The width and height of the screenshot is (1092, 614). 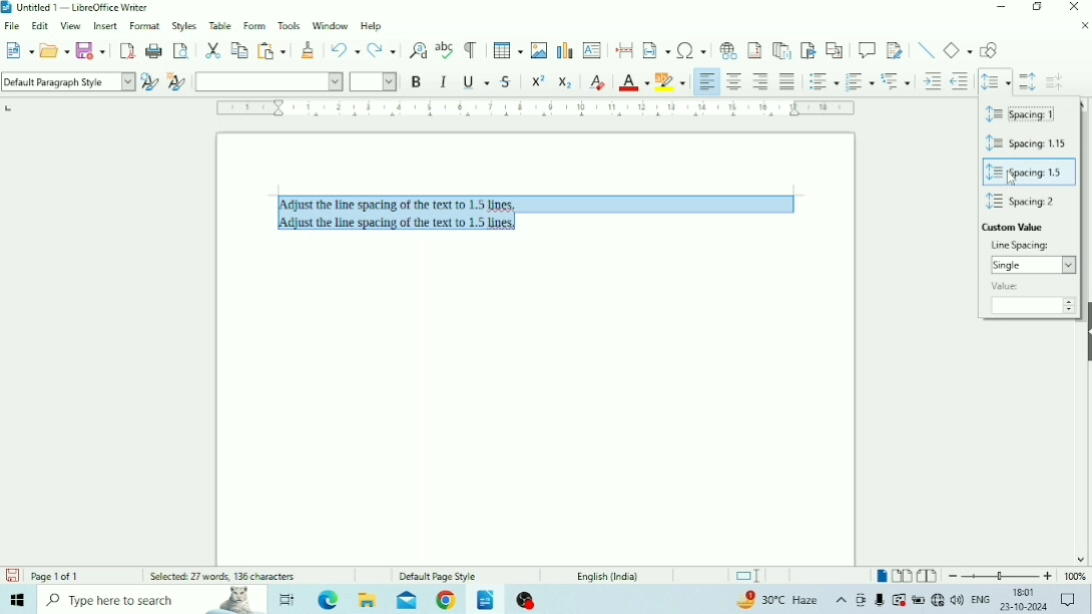 What do you see at coordinates (83, 7) in the screenshot?
I see `Title` at bounding box center [83, 7].